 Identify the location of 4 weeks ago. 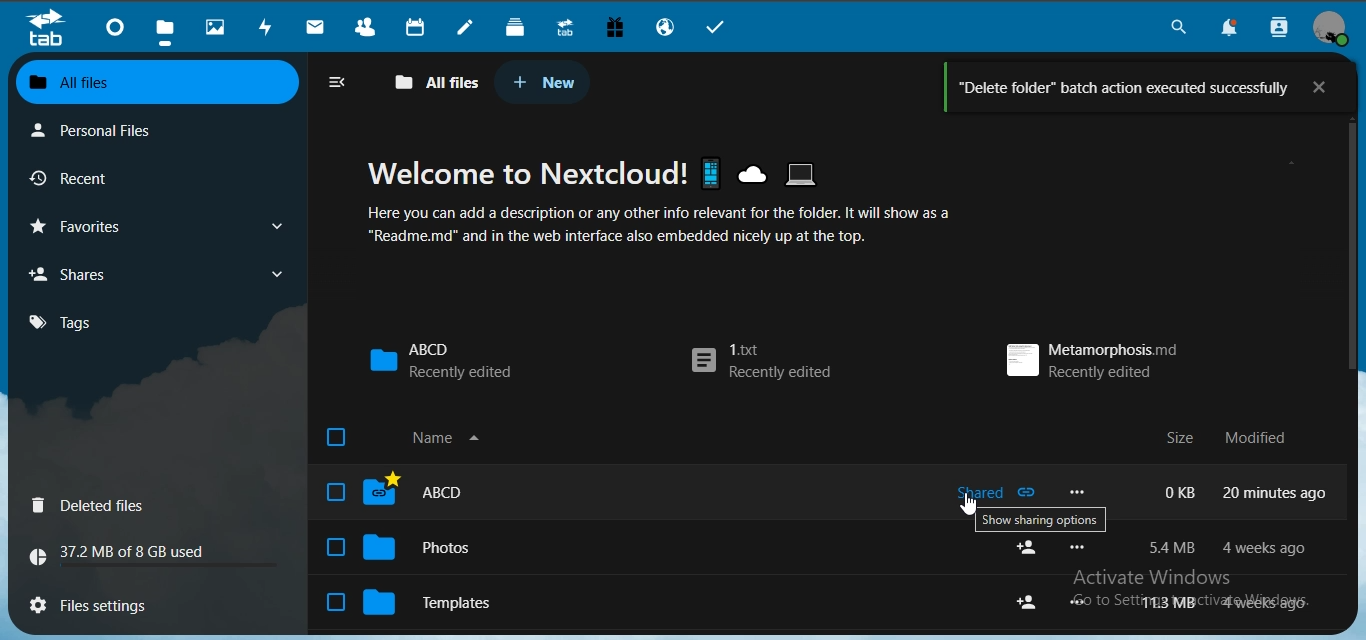
(1272, 602).